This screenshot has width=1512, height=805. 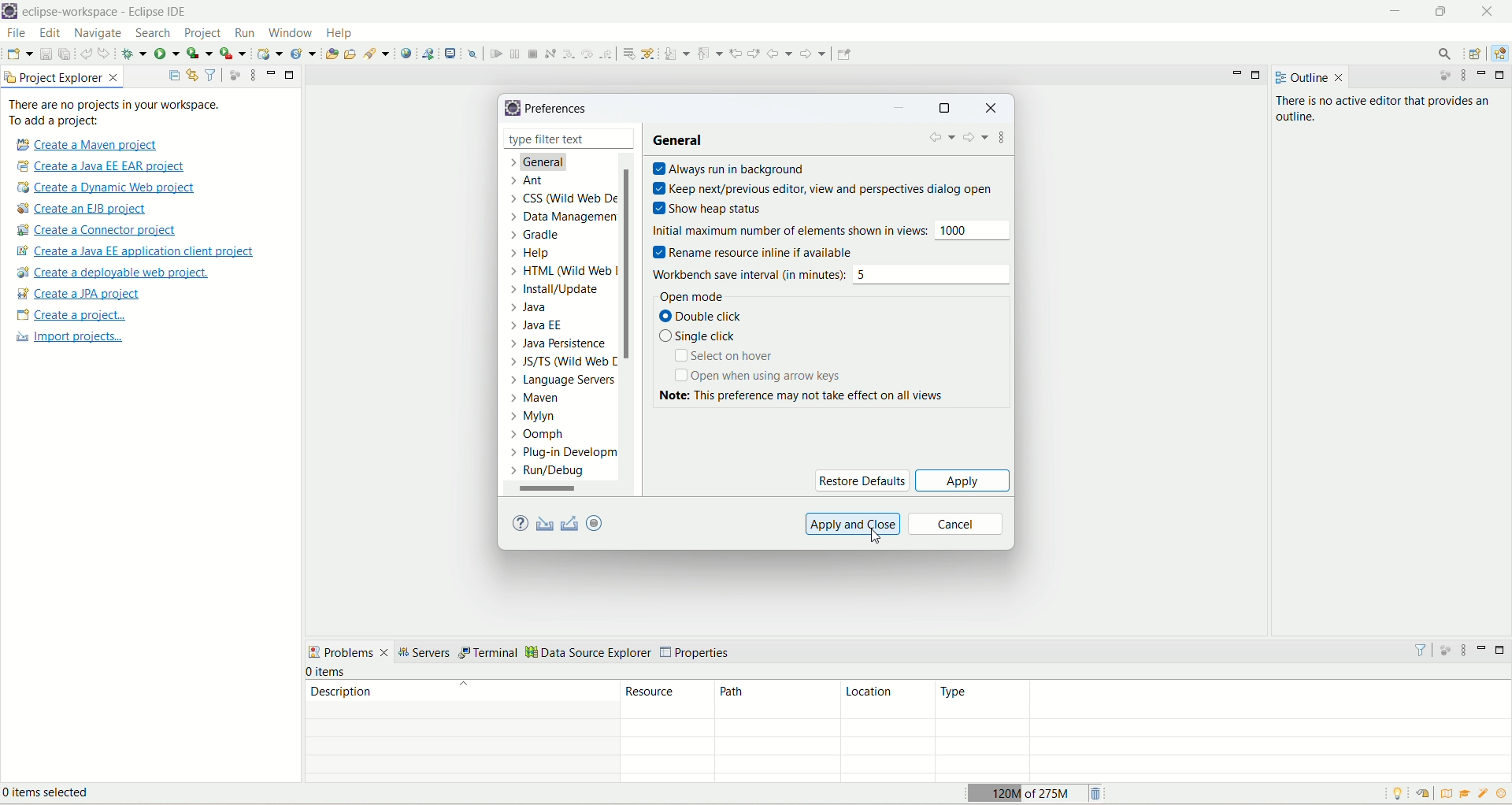 I want to click on properties, so click(x=697, y=653).